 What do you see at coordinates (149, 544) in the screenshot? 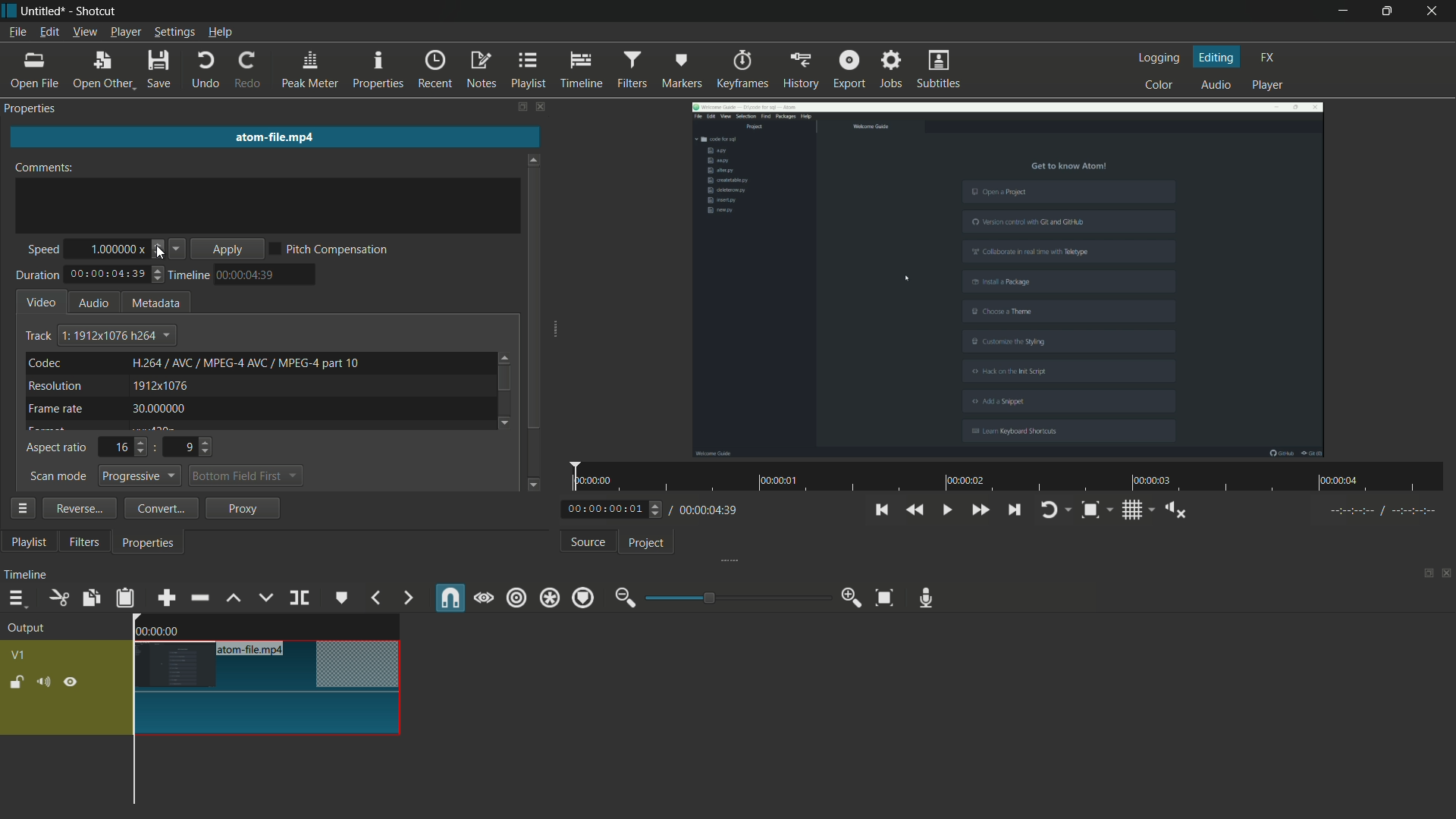
I see `properties` at bounding box center [149, 544].